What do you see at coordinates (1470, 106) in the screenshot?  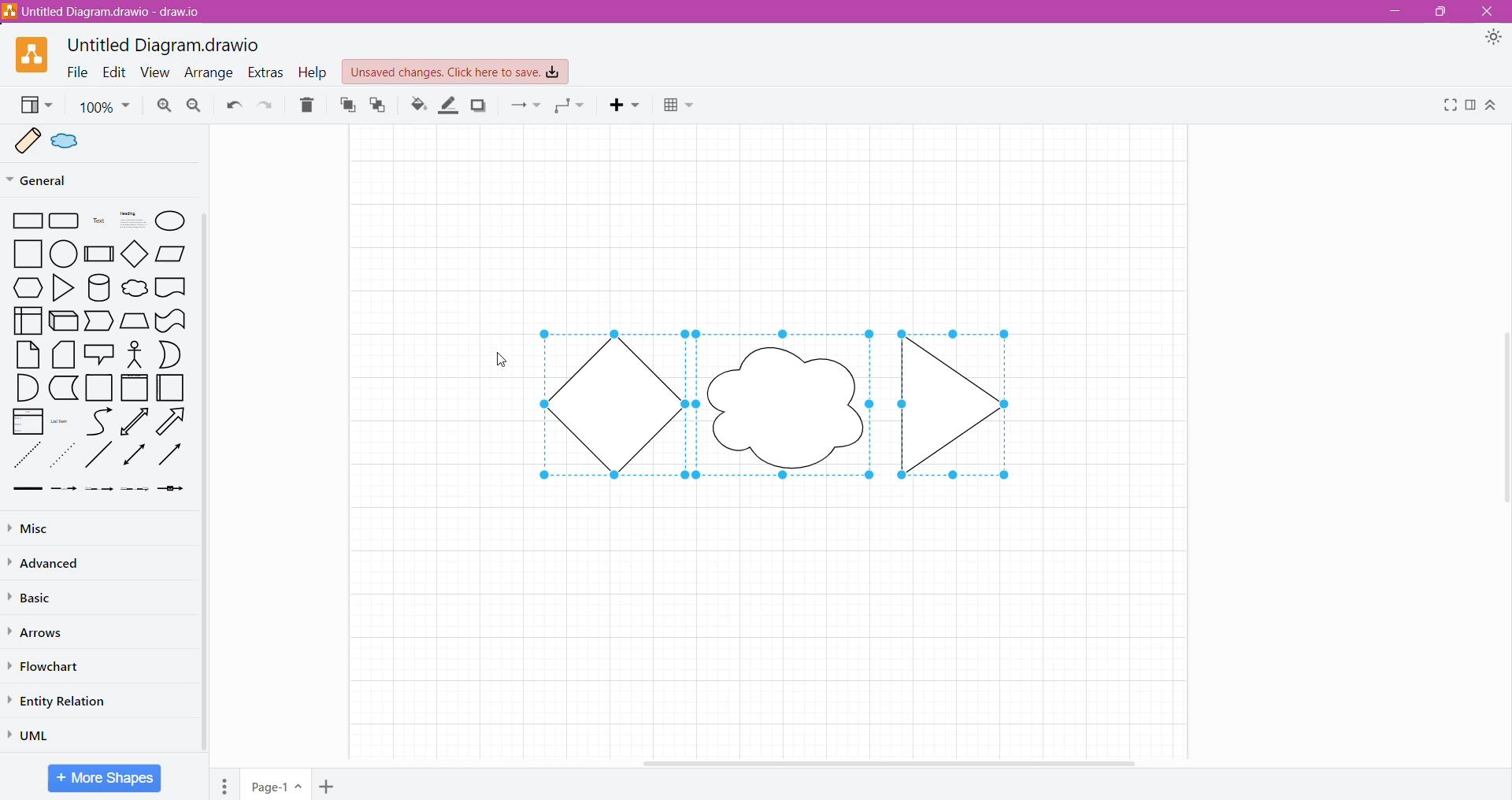 I see `Format` at bounding box center [1470, 106].